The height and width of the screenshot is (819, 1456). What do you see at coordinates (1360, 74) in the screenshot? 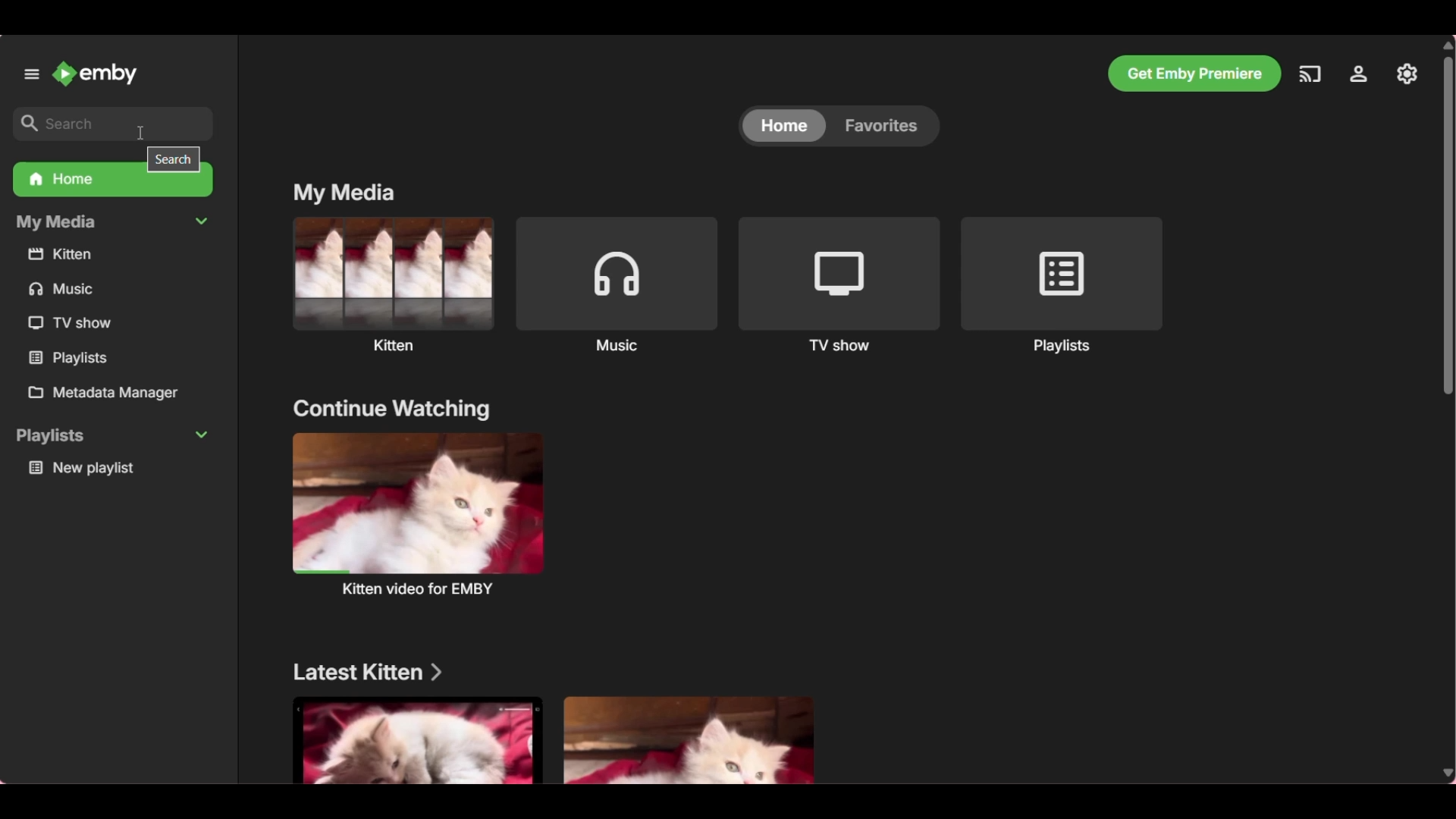
I see `Manage Emby server` at bounding box center [1360, 74].